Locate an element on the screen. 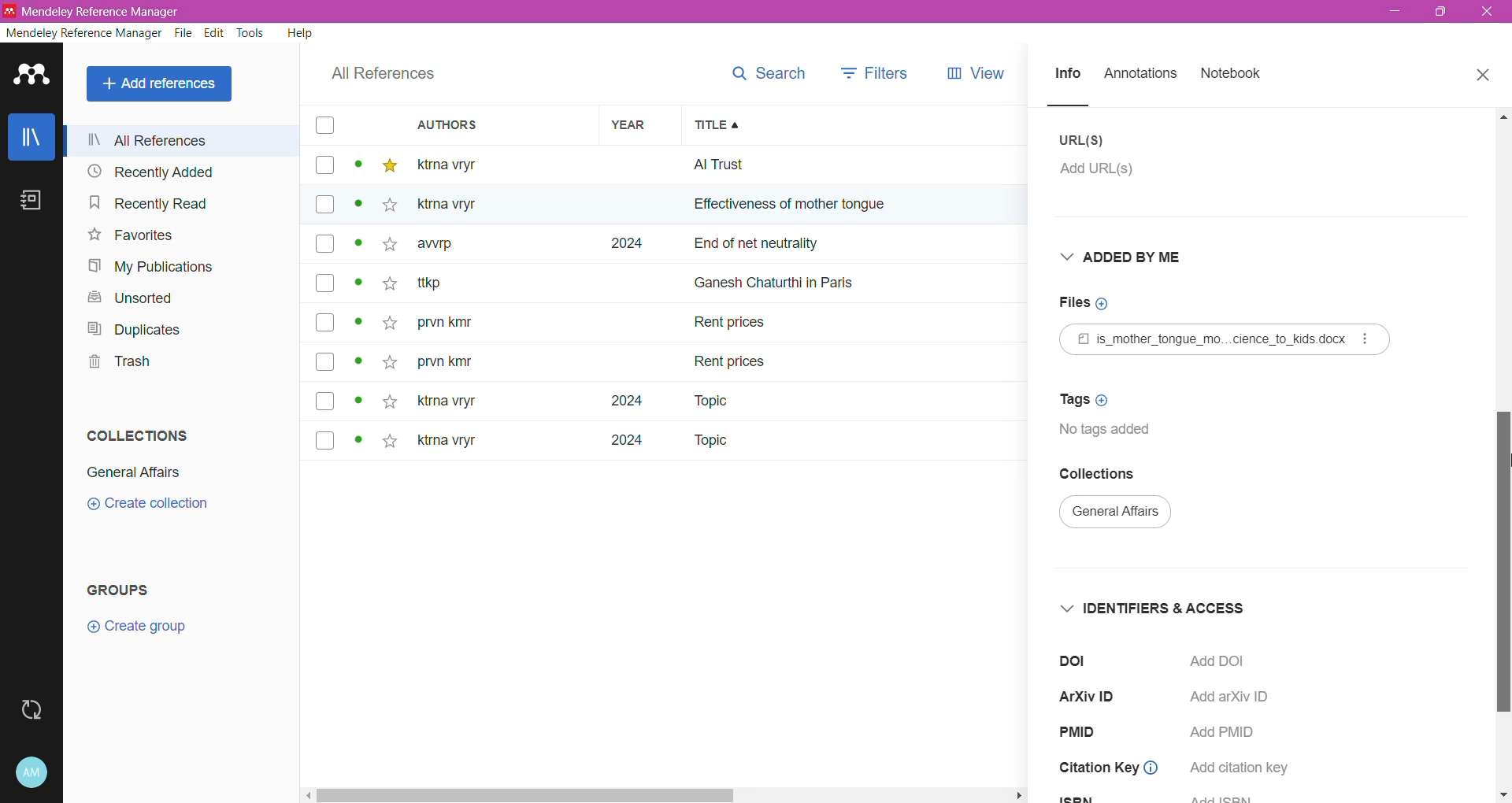 The width and height of the screenshot is (1512, 803). Horizontal Scroll Bar is located at coordinates (666, 797).